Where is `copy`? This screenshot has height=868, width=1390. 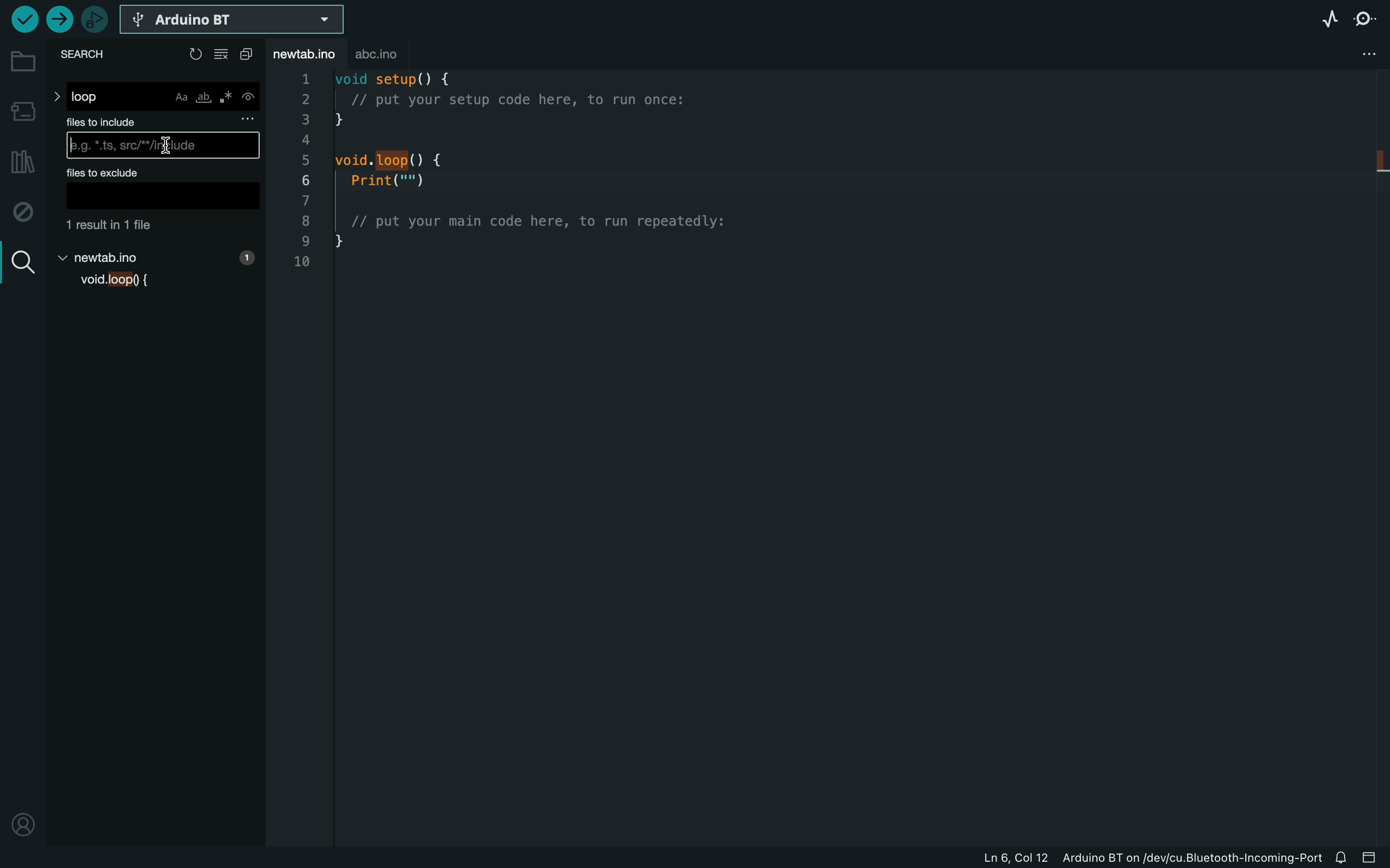
copy is located at coordinates (249, 55).